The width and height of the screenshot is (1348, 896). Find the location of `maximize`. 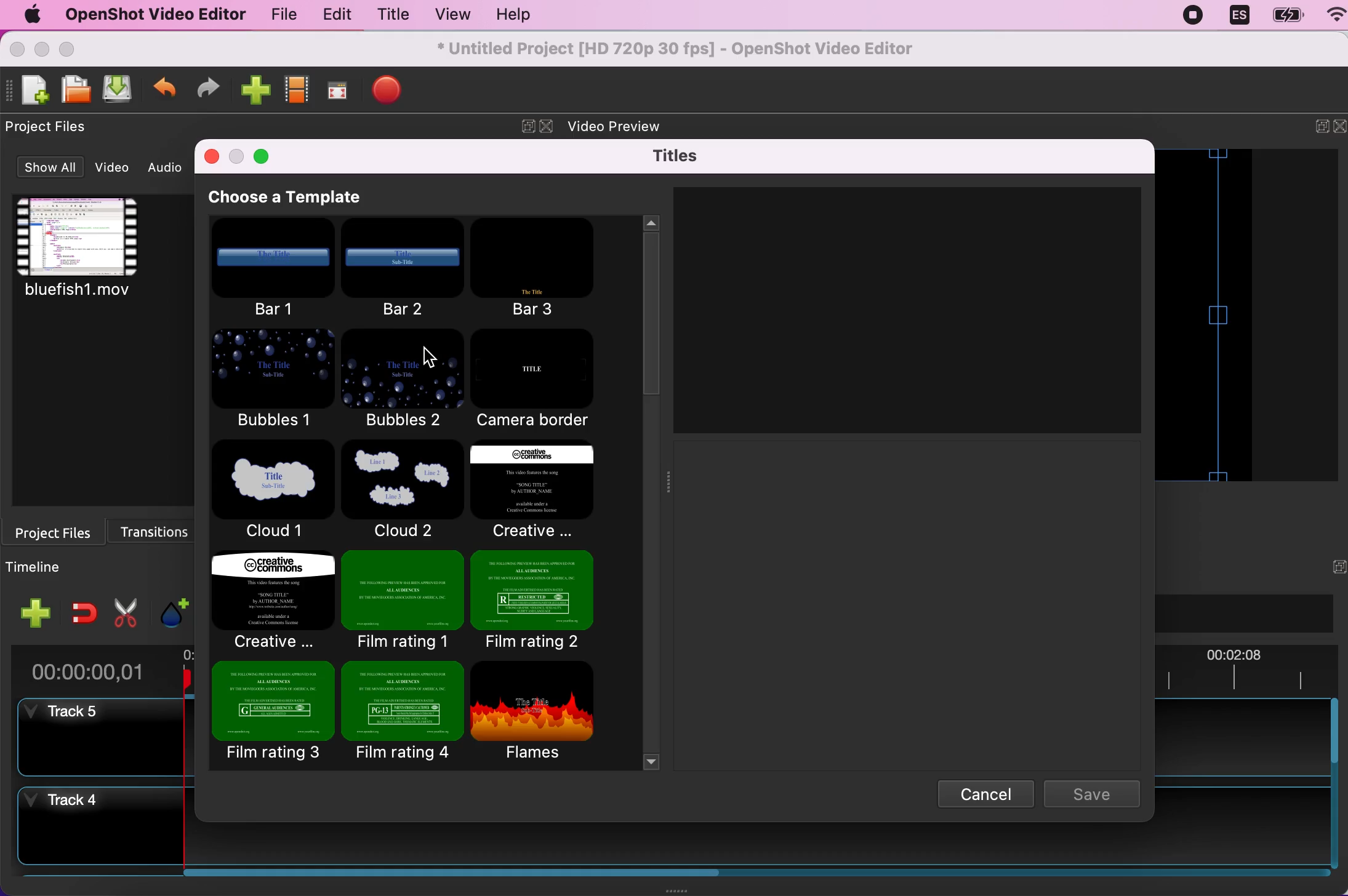

maximize is located at coordinates (74, 49).